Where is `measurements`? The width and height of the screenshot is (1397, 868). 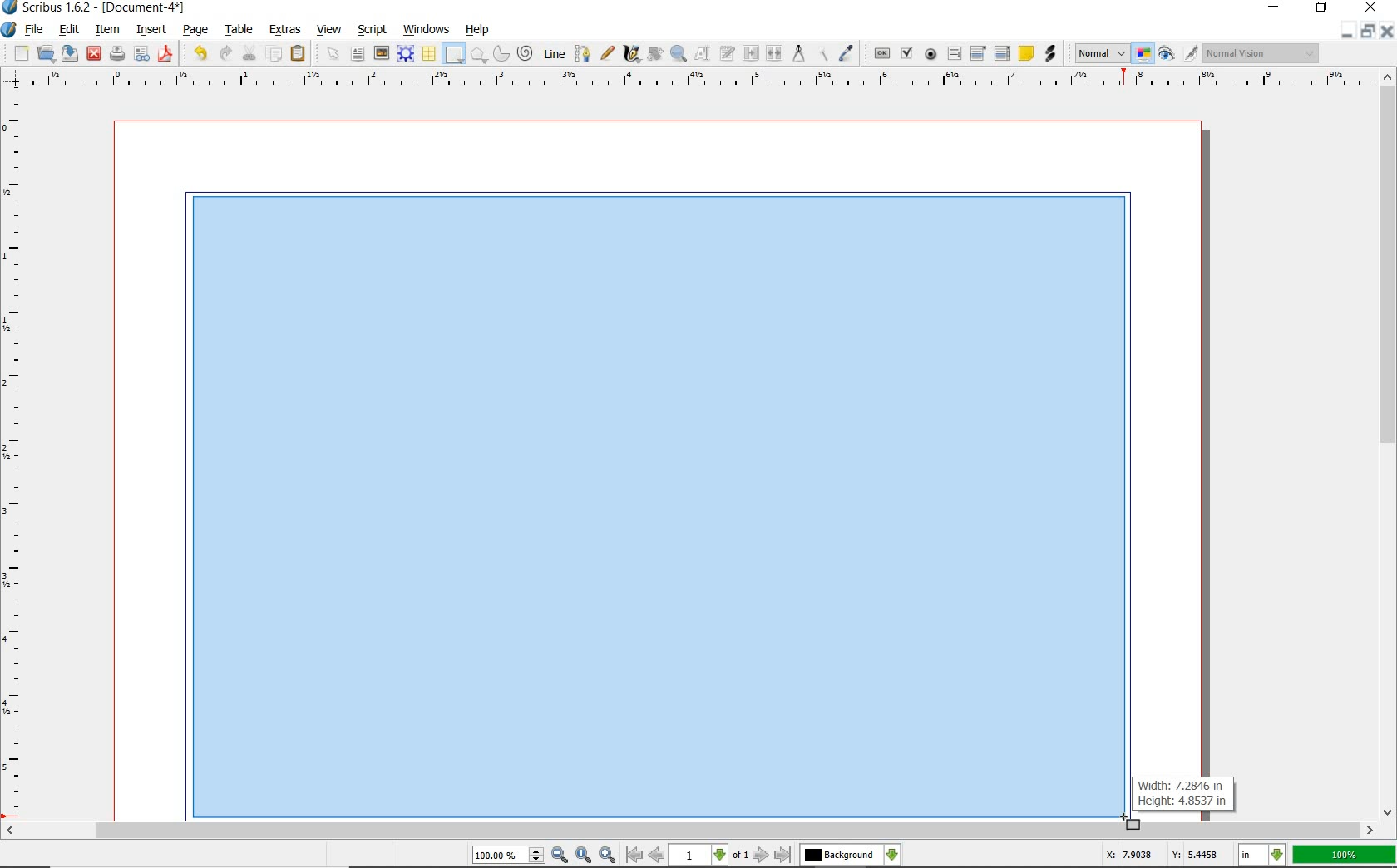 measurements is located at coordinates (798, 54).